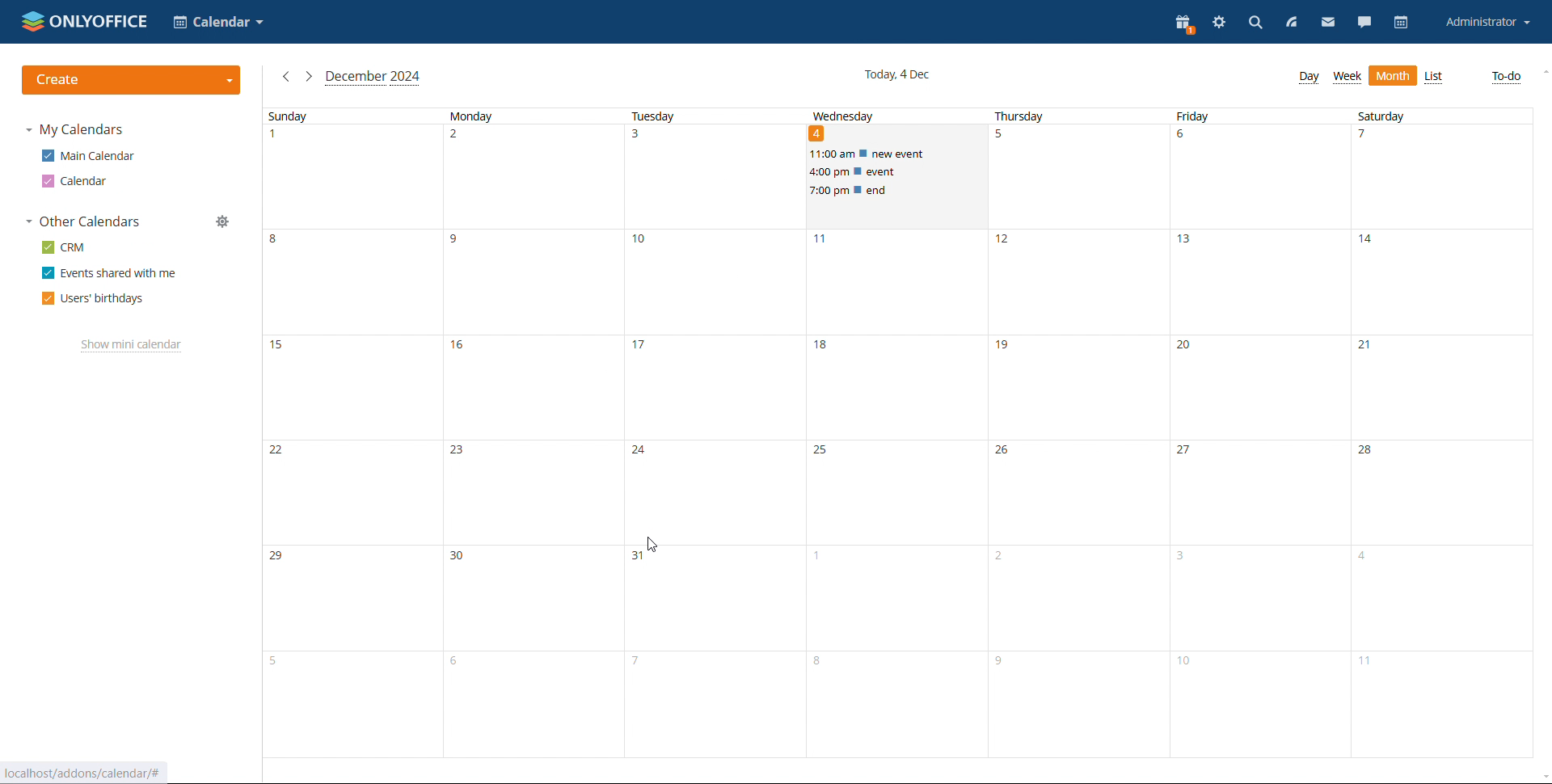 Image resolution: width=1552 pixels, height=784 pixels. What do you see at coordinates (896, 76) in the screenshot?
I see `current date` at bounding box center [896, 76].